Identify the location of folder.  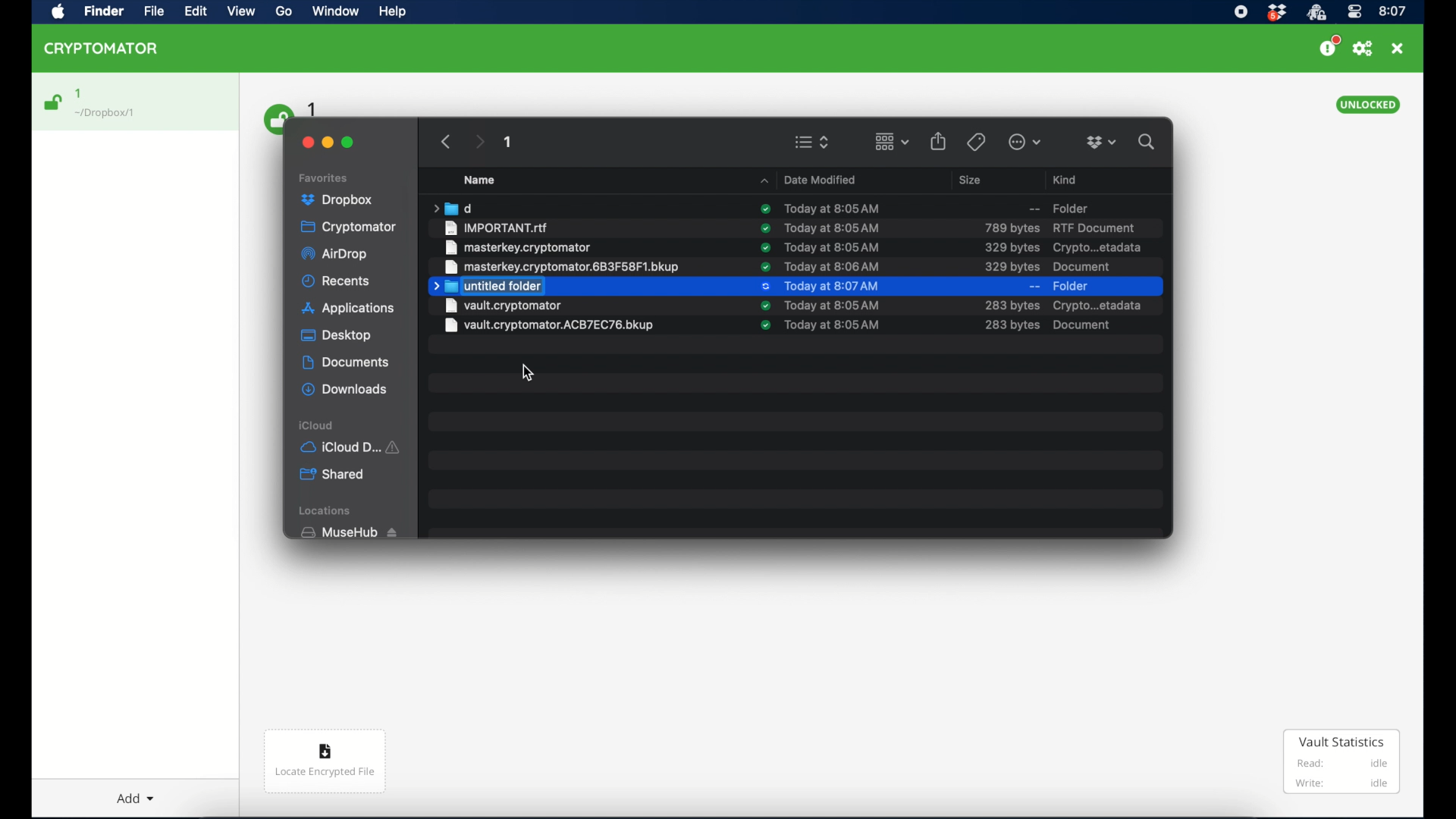
(1073, 287).